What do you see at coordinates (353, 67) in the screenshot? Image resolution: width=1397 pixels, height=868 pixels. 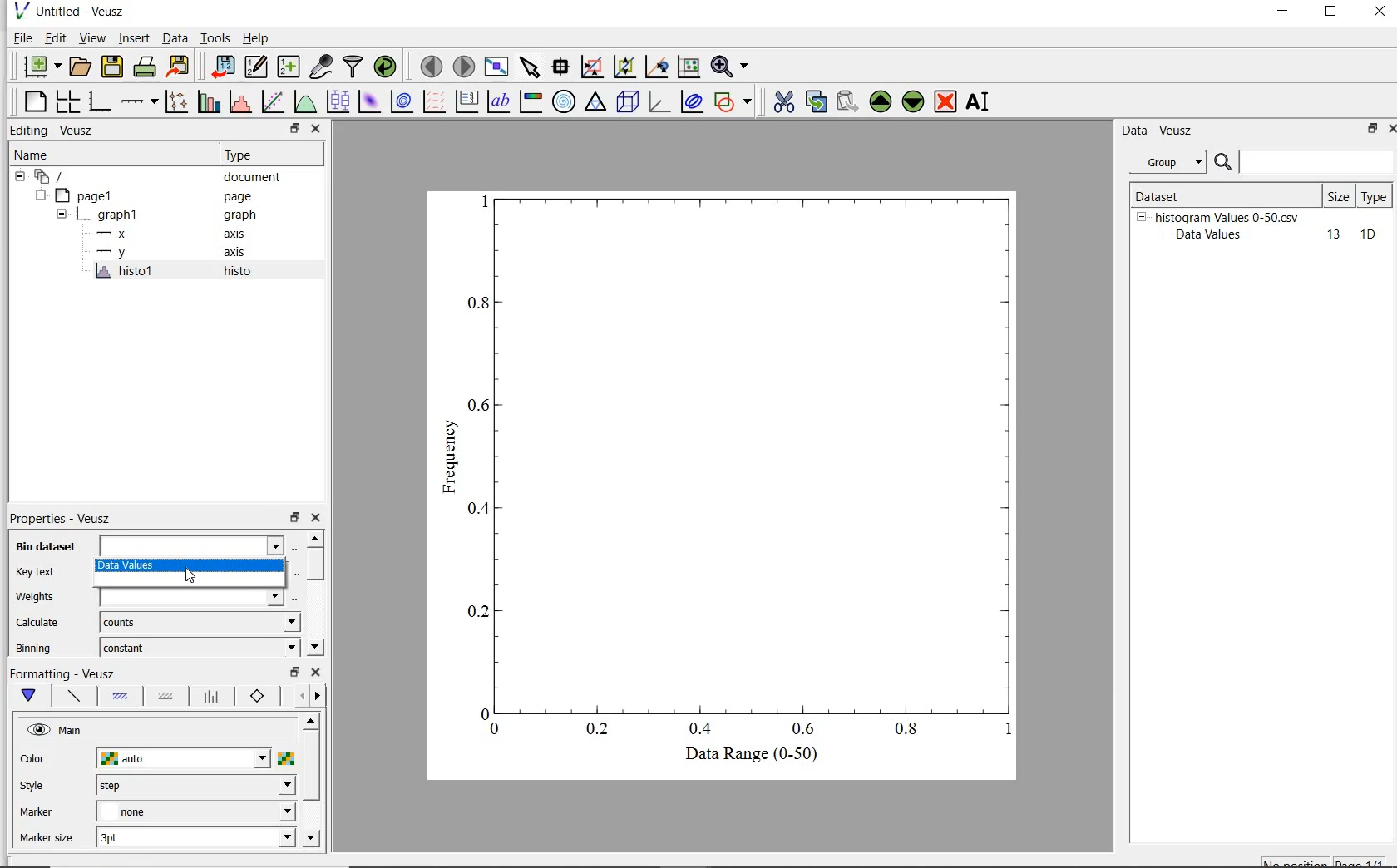 I see `filter data` at bounding box center [353, 67].